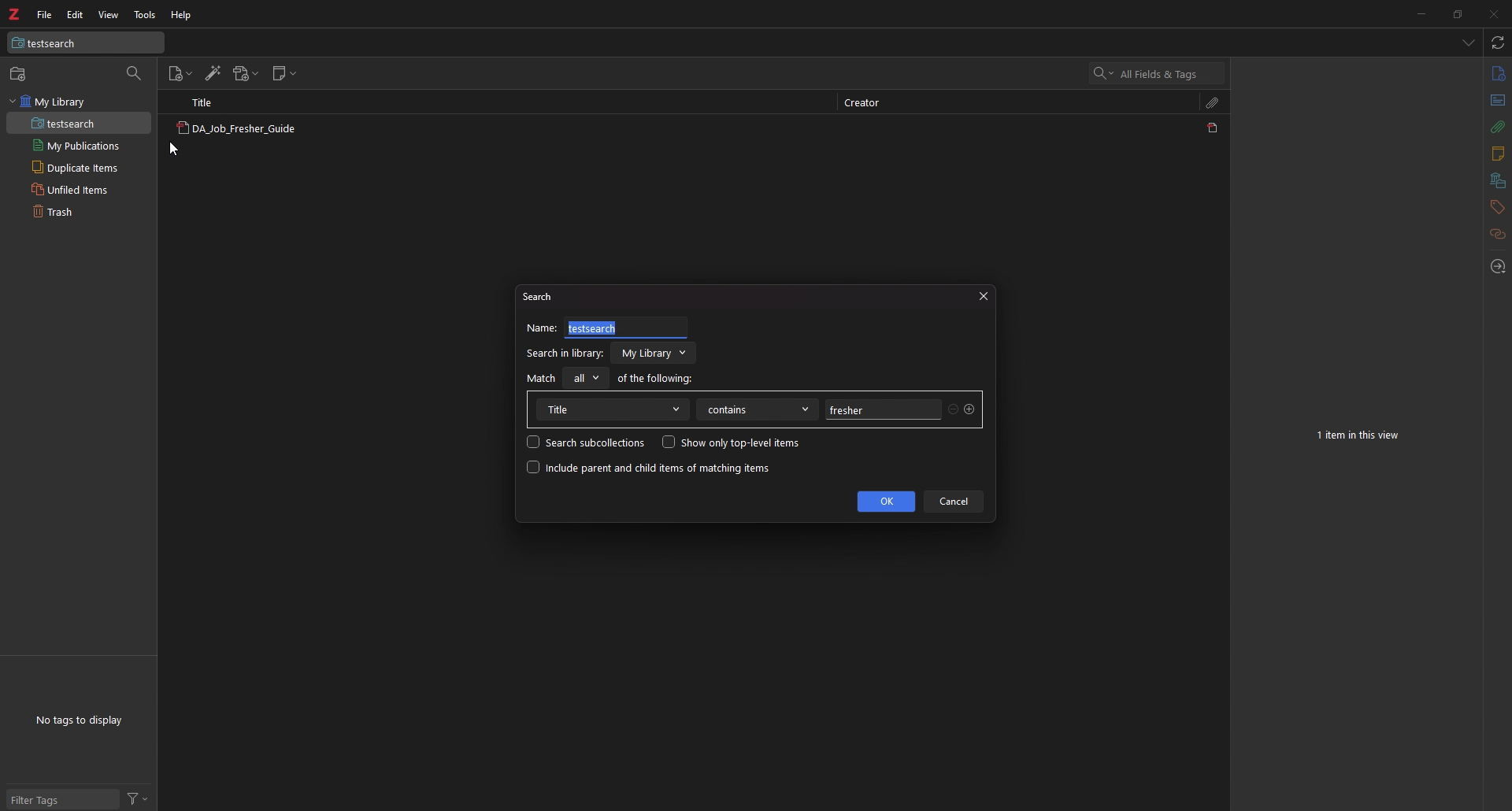 The height and width of the screenshot is (811, 1512). I want to click on search subcollections, so click(586, 442).